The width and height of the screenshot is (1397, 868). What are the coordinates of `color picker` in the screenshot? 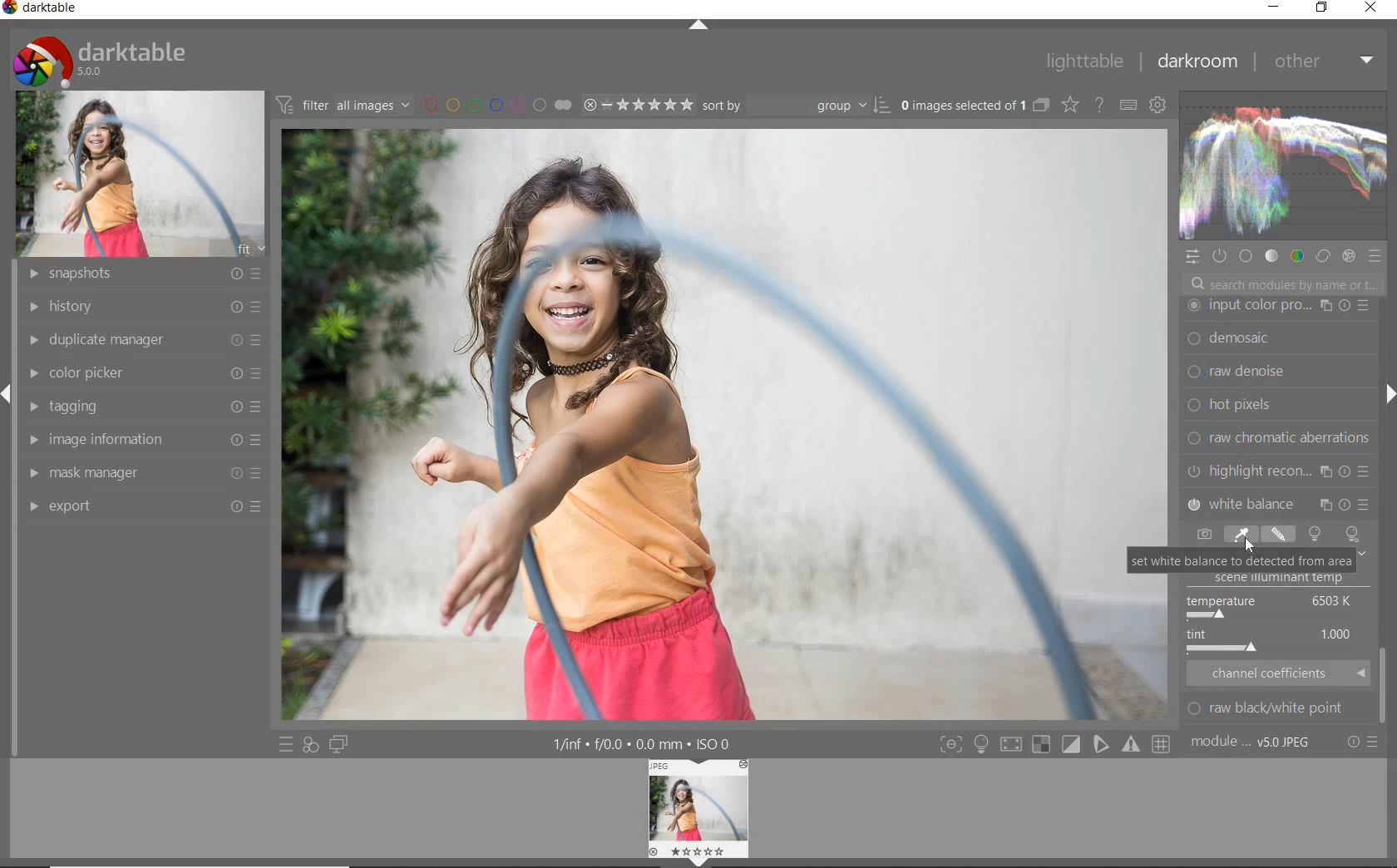 It's located at (149, 370).